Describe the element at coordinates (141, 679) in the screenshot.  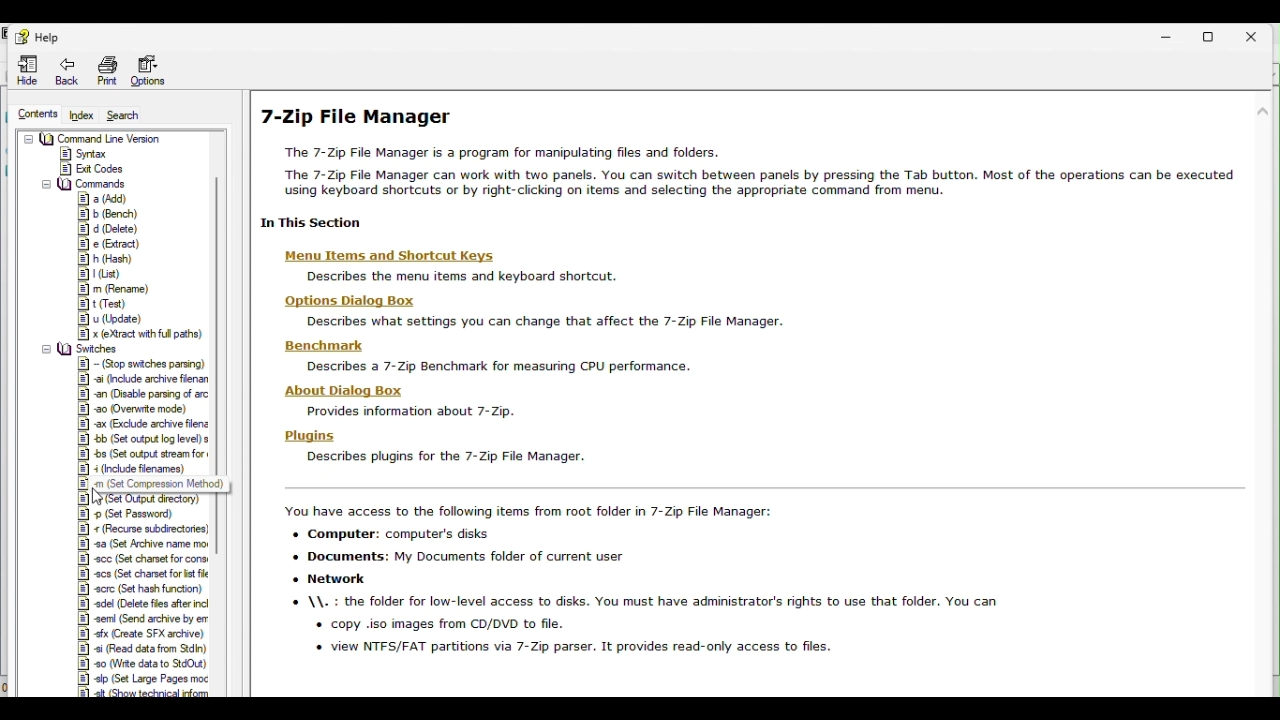
I see `slp` at that location.